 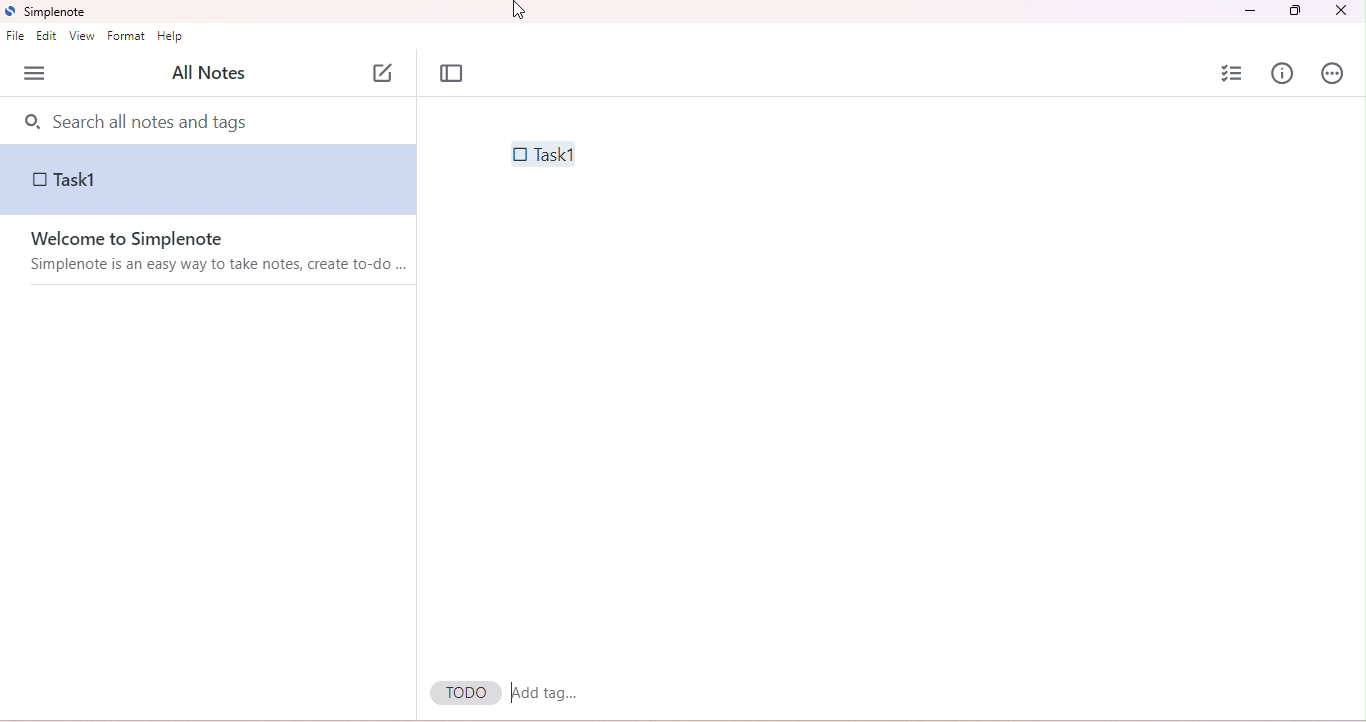 I want to click on format, so click(x=129, y=37).